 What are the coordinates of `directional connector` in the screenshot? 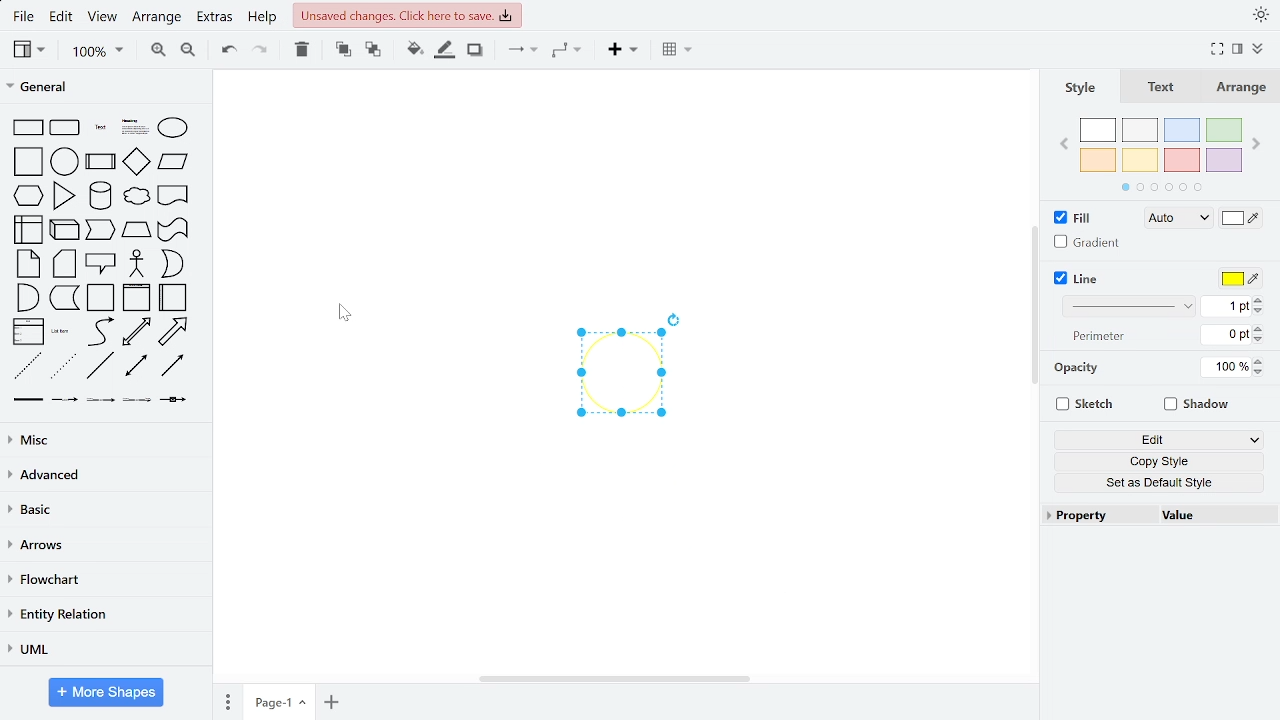 It's located at (175, 366).